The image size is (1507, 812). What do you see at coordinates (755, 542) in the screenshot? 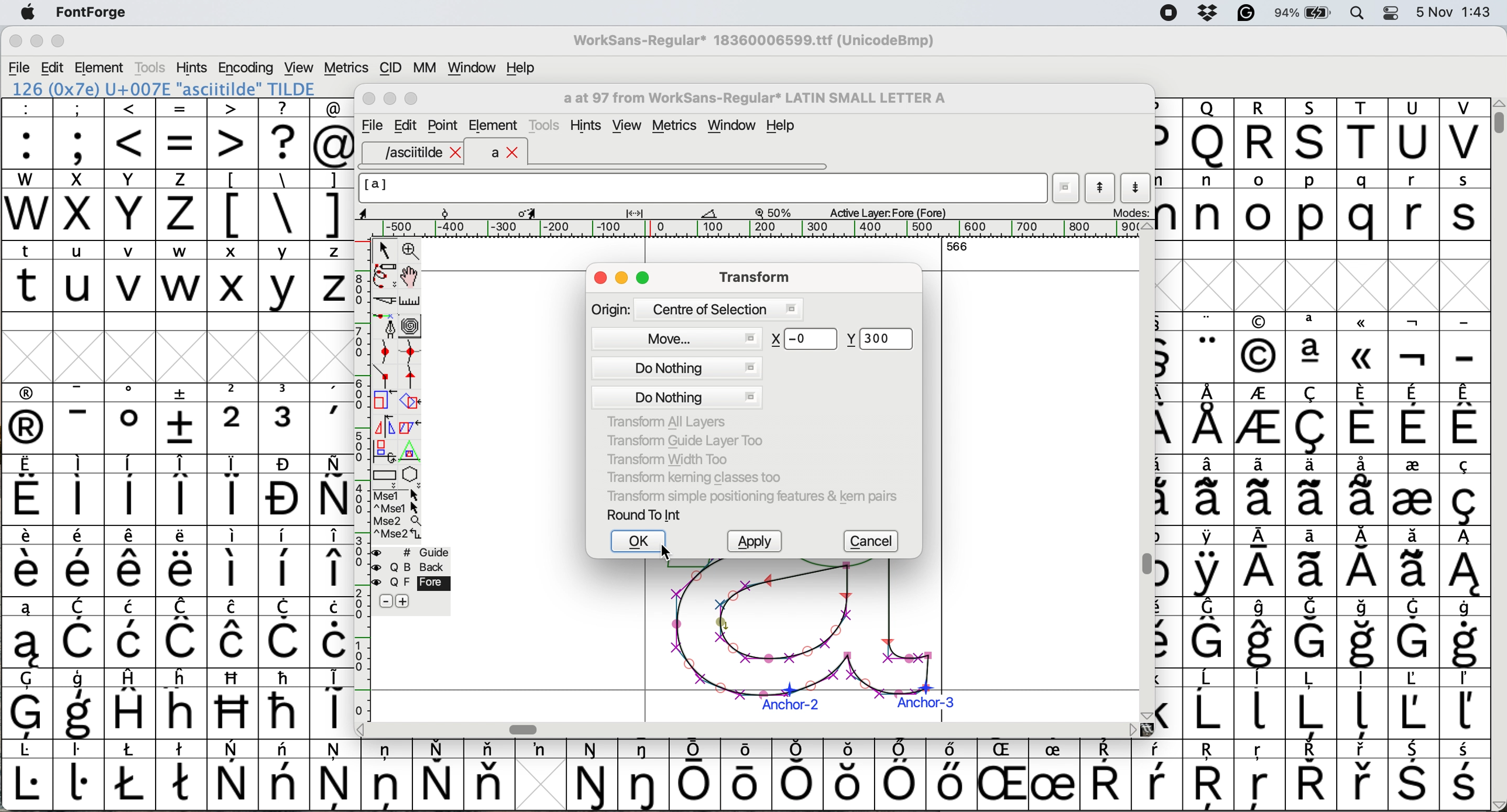
I see `apply` at bounding box center [755, 542].